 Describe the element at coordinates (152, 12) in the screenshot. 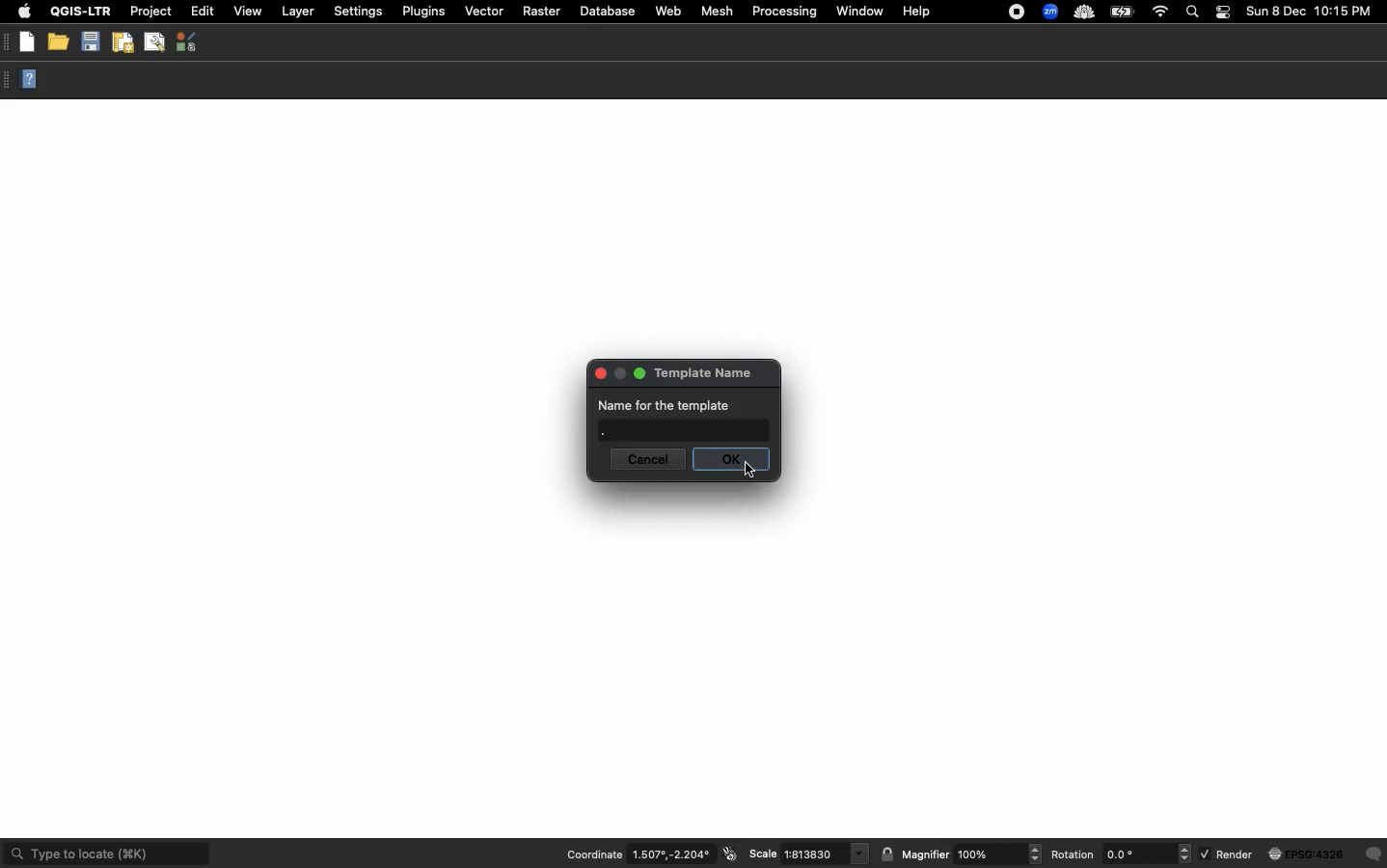

I see `Project` at that location.